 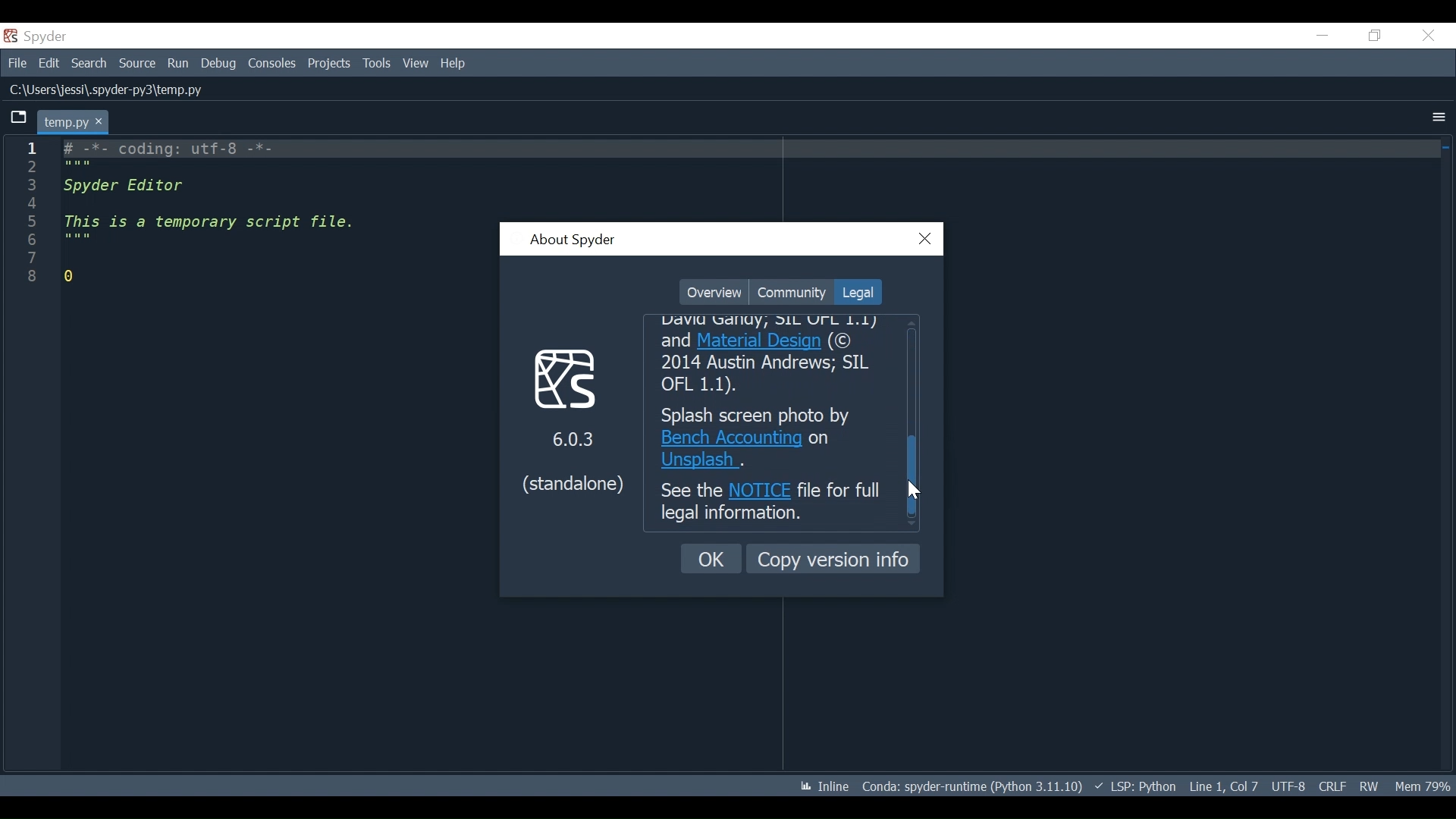 What do you see at coordinates (89, 63) in the screenshot?
I see `Search` at bounding box center [89, 63].